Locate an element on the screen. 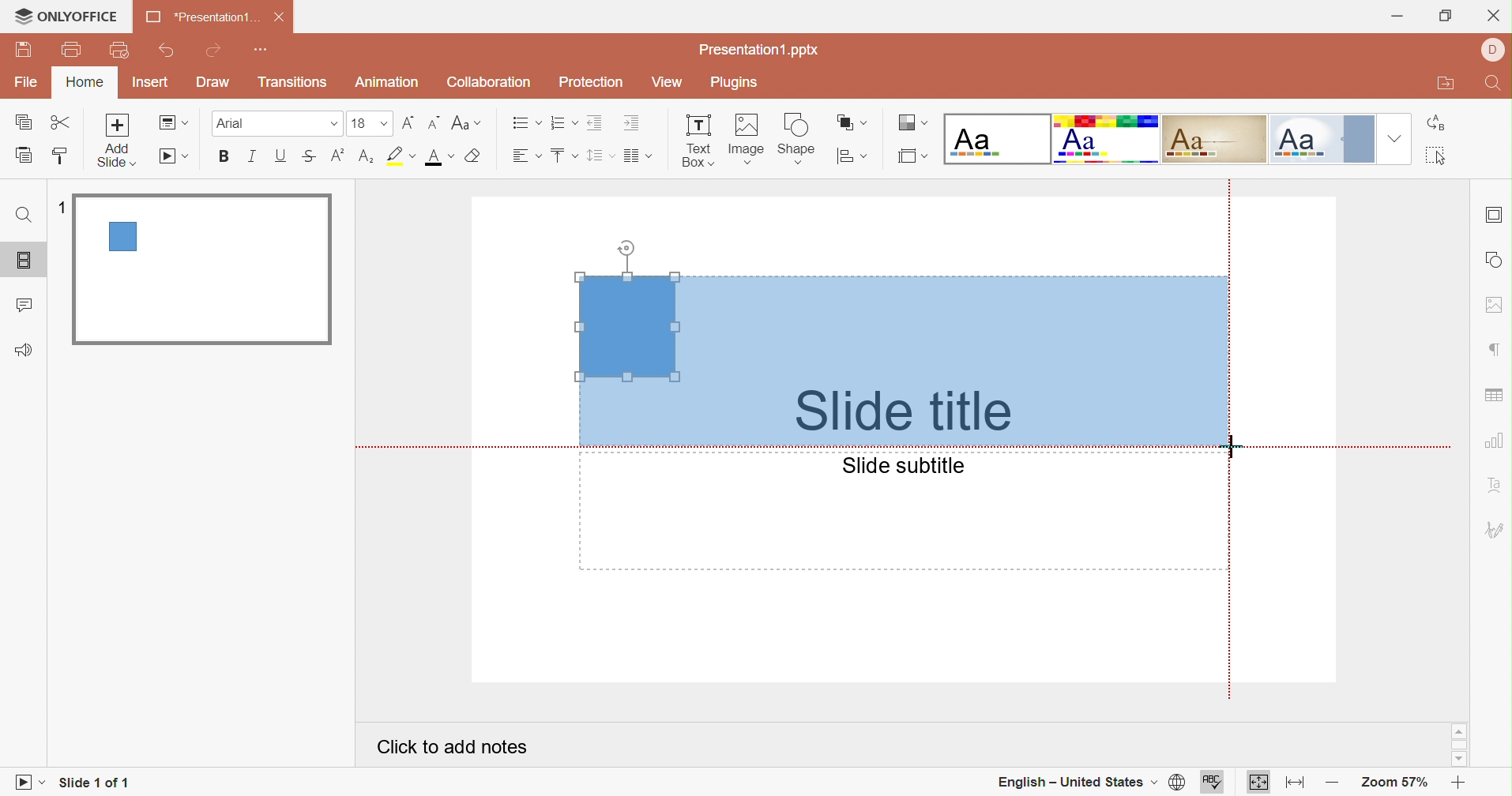 This screenshot has width=1512, height=796. Slide settings is located at coordinates (1495, 212).